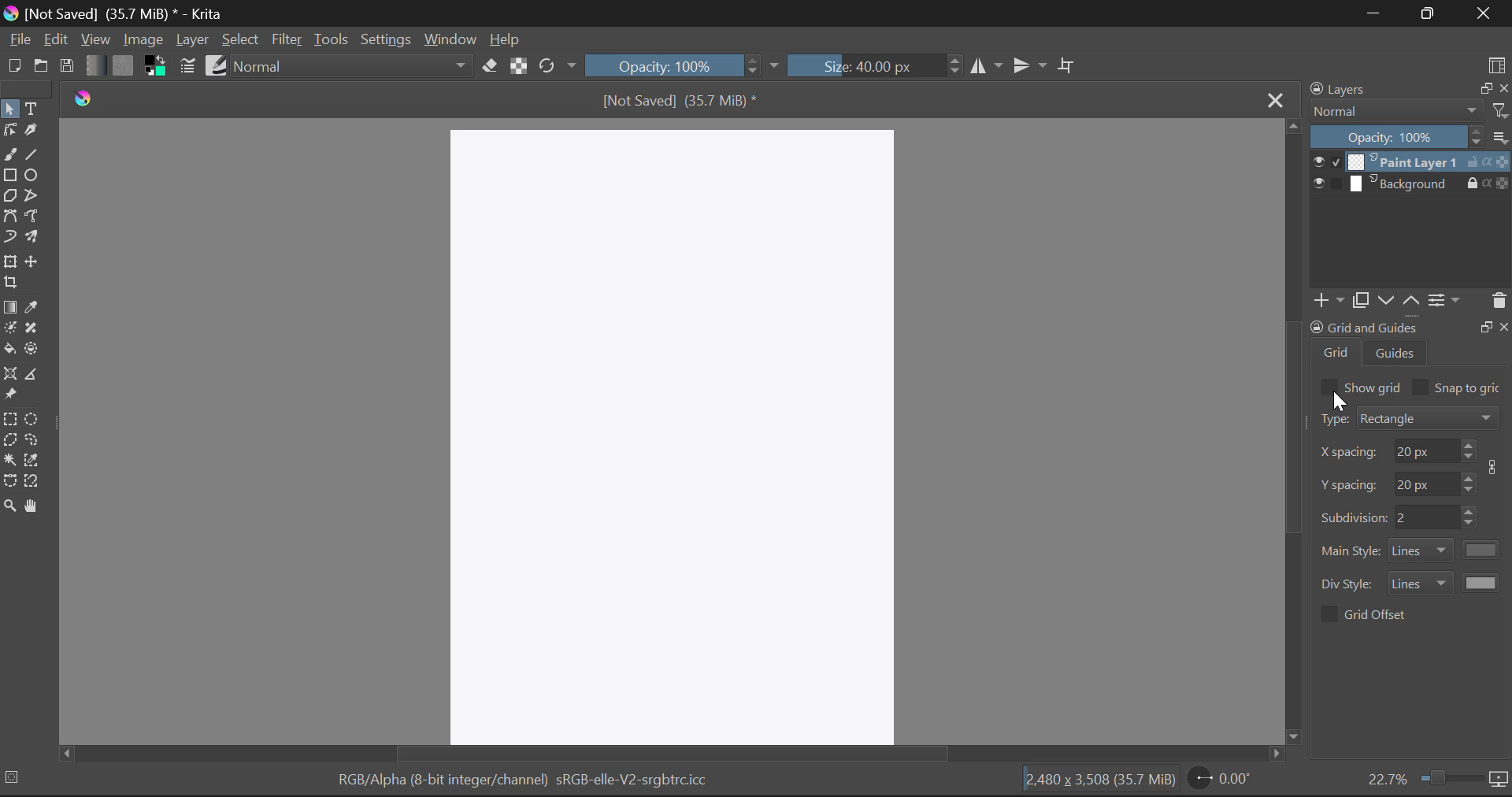 The height and width of the screenshot is (797, 1512). I want to click on Line, so click(32, 156).